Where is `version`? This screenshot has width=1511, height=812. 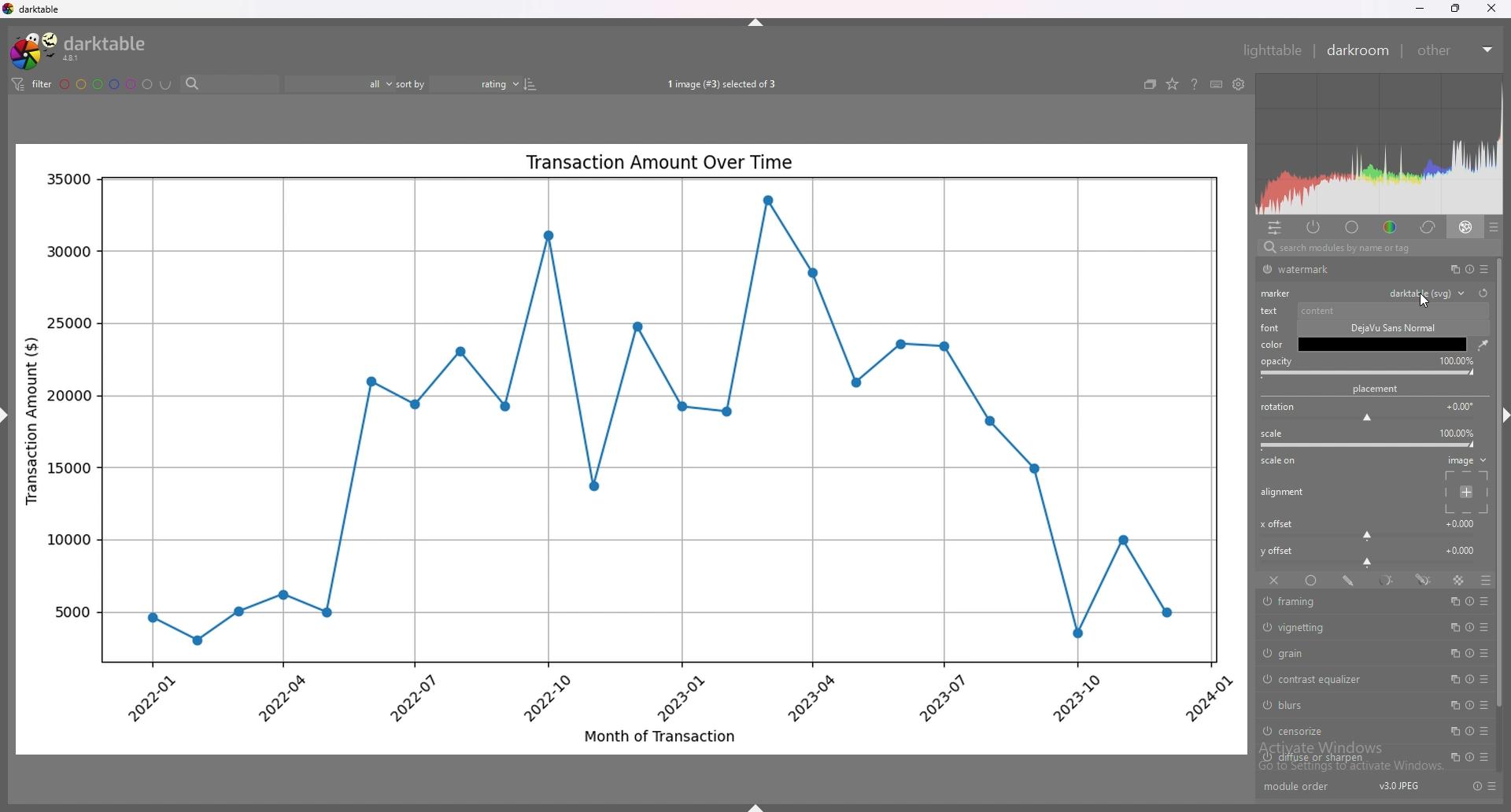 version is located at coordinates (1397, 787).